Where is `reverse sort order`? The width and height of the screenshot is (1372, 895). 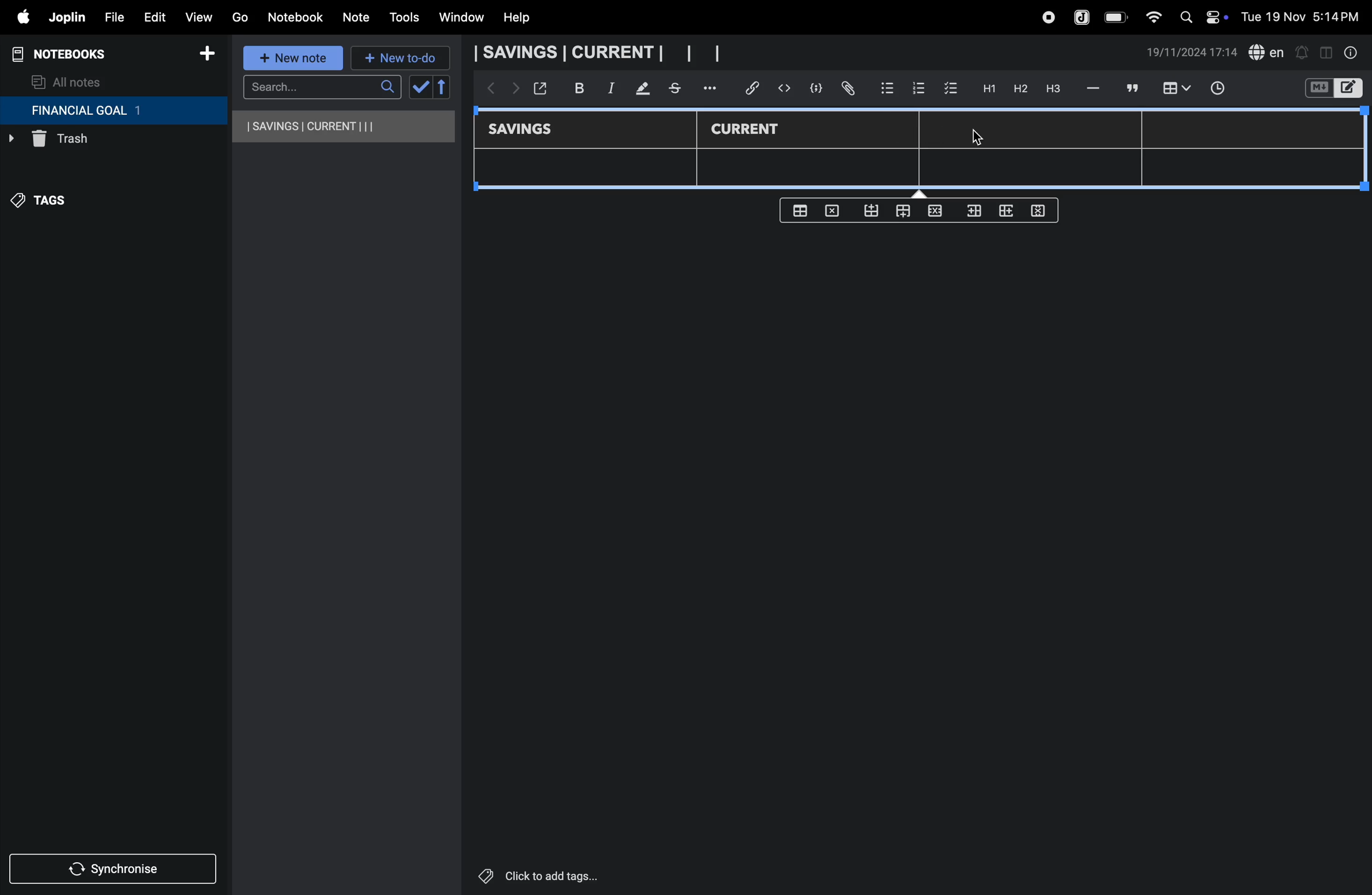
reverse sort order is located at coordinates (443, 87).